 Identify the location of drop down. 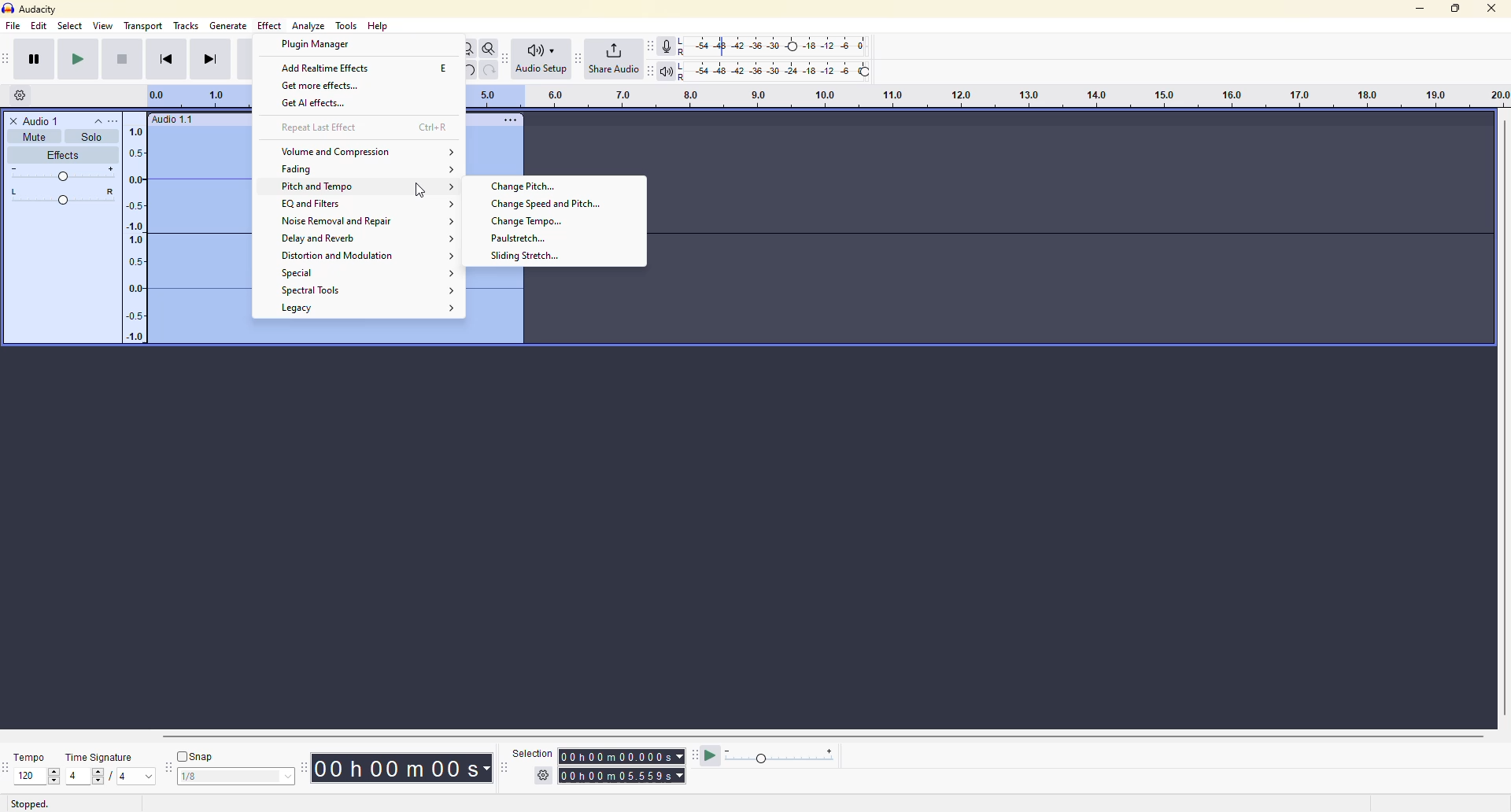
(149, 777).